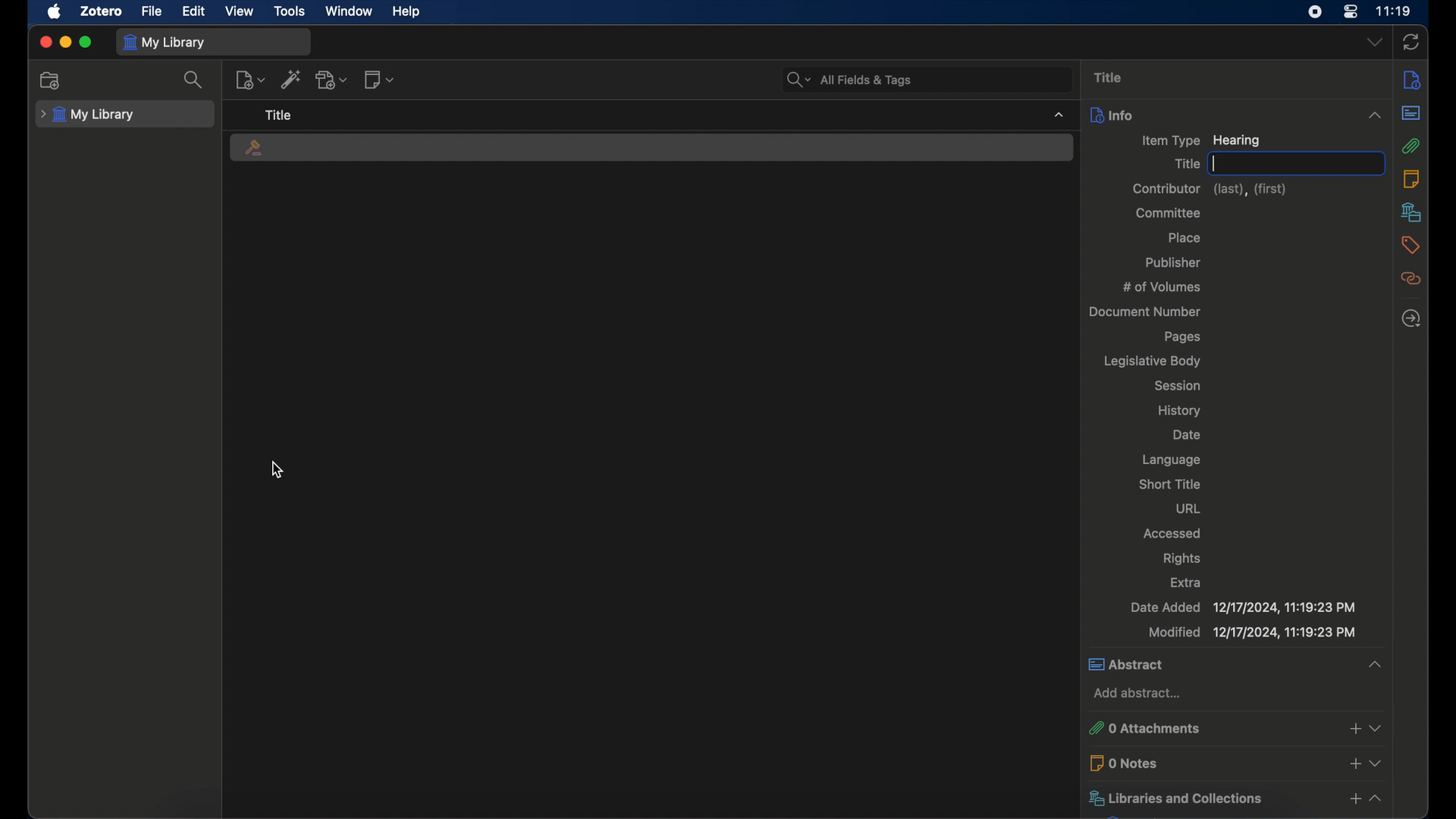 This screenshot has width=1456, height=819. Describe the element at coordinates (332, 80) in the screenshot. I see `add attachment` at that location.